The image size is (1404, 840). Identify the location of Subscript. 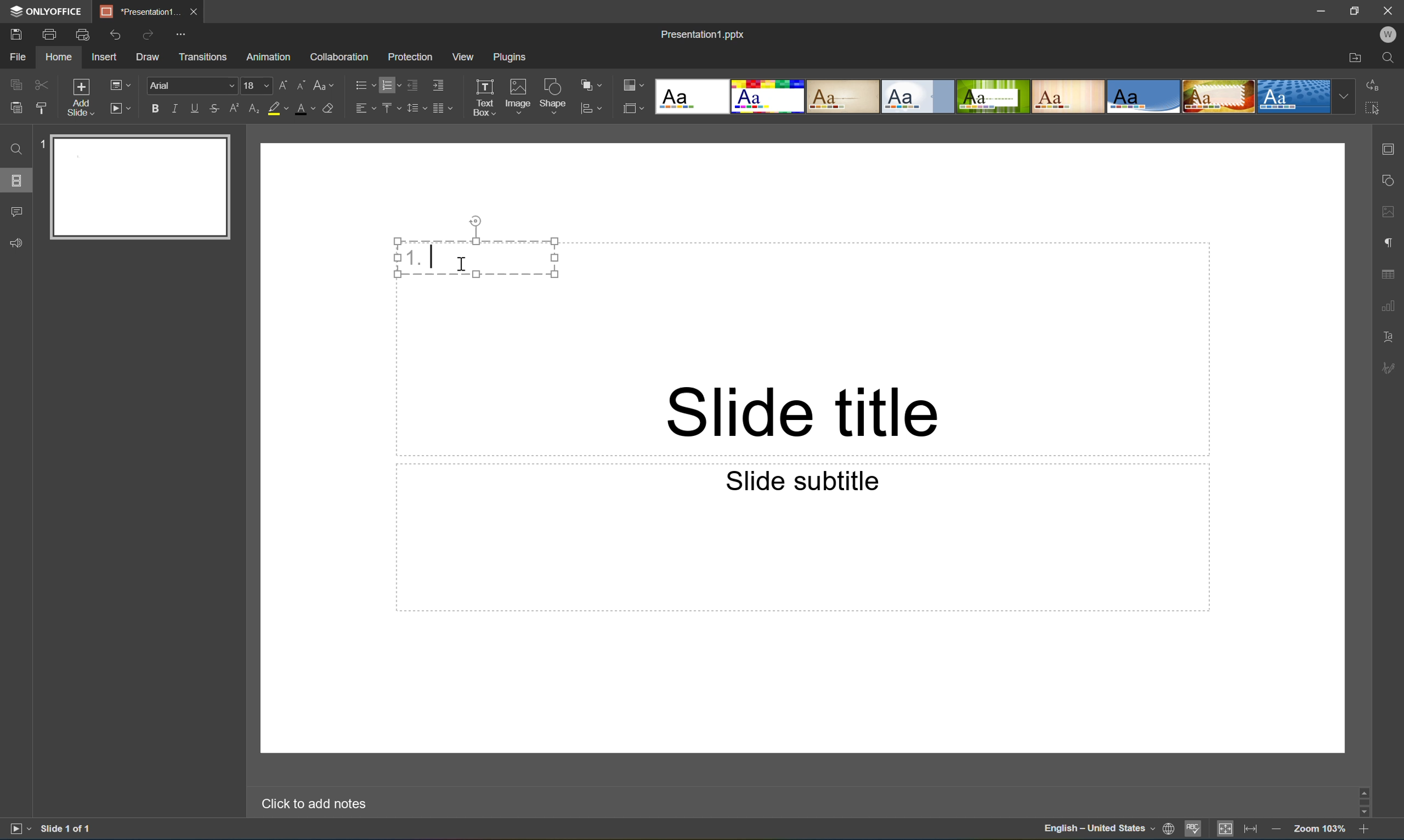
(253, 109).